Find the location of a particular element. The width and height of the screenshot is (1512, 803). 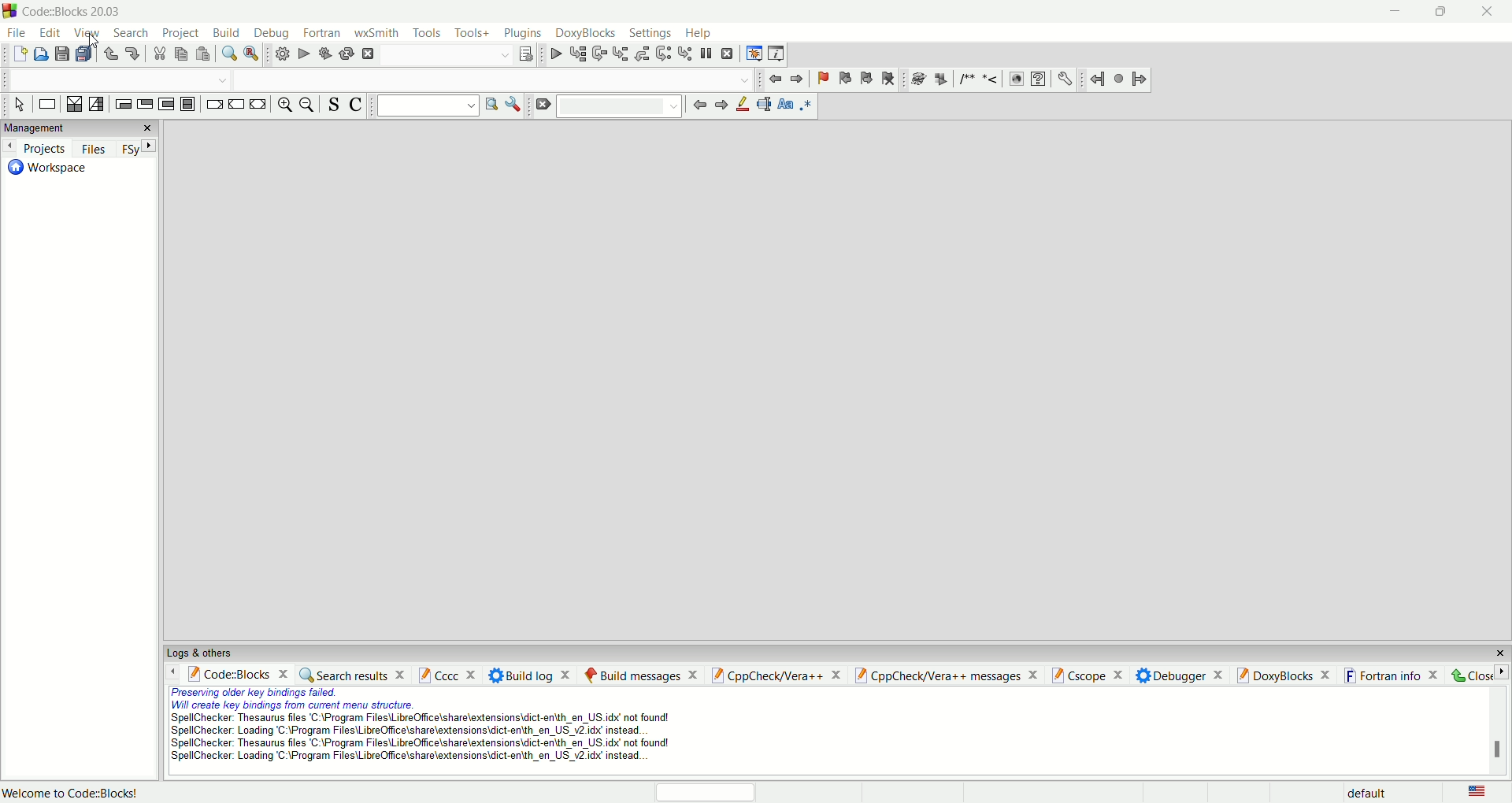

toggle comment is located at coordinates (355, 106).